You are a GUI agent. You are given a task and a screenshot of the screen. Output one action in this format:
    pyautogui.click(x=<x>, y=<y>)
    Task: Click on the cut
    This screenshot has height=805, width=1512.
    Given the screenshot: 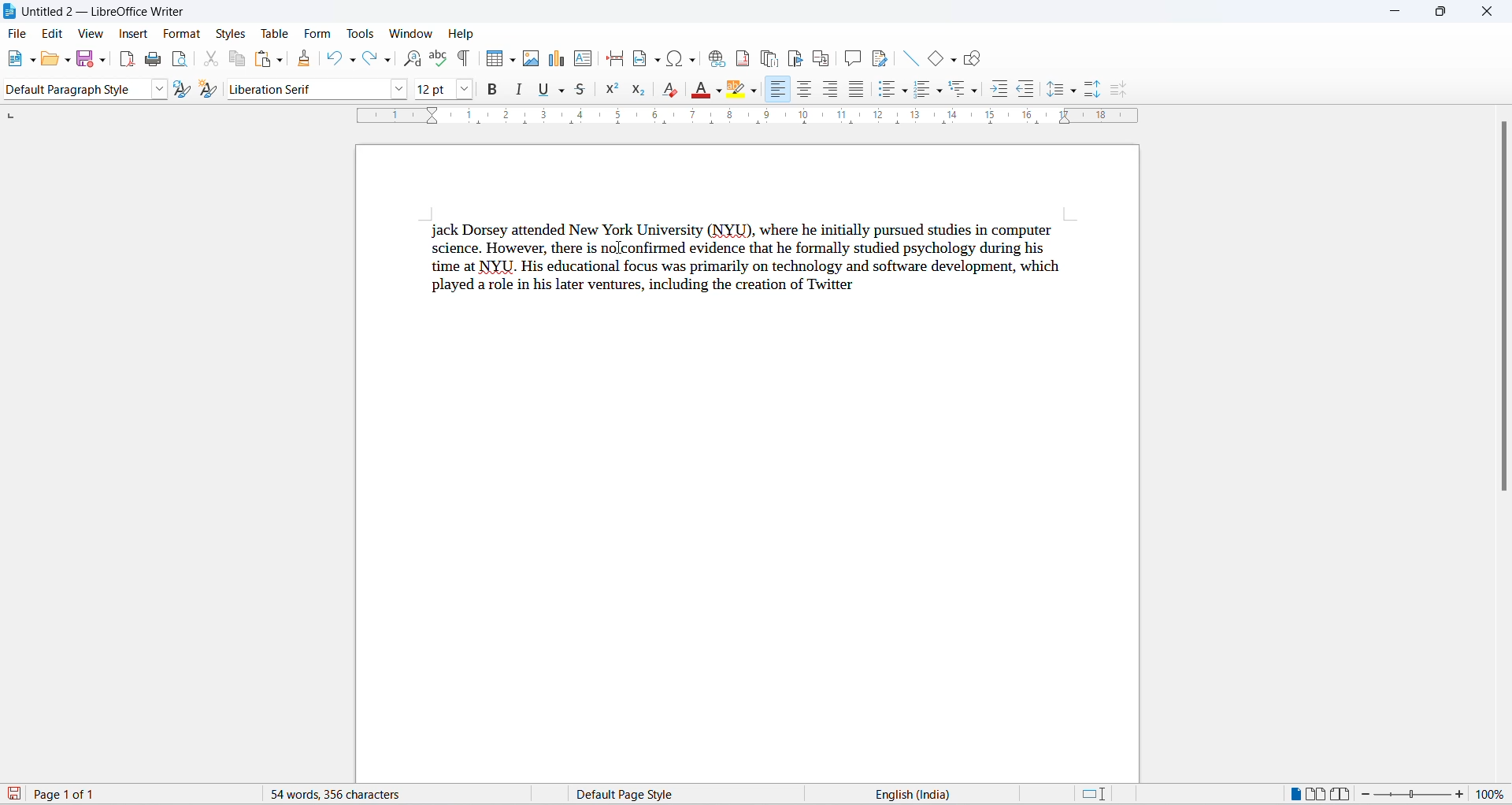 What is the action you would take?
    pyautogui.click(x=211, y=58)
    